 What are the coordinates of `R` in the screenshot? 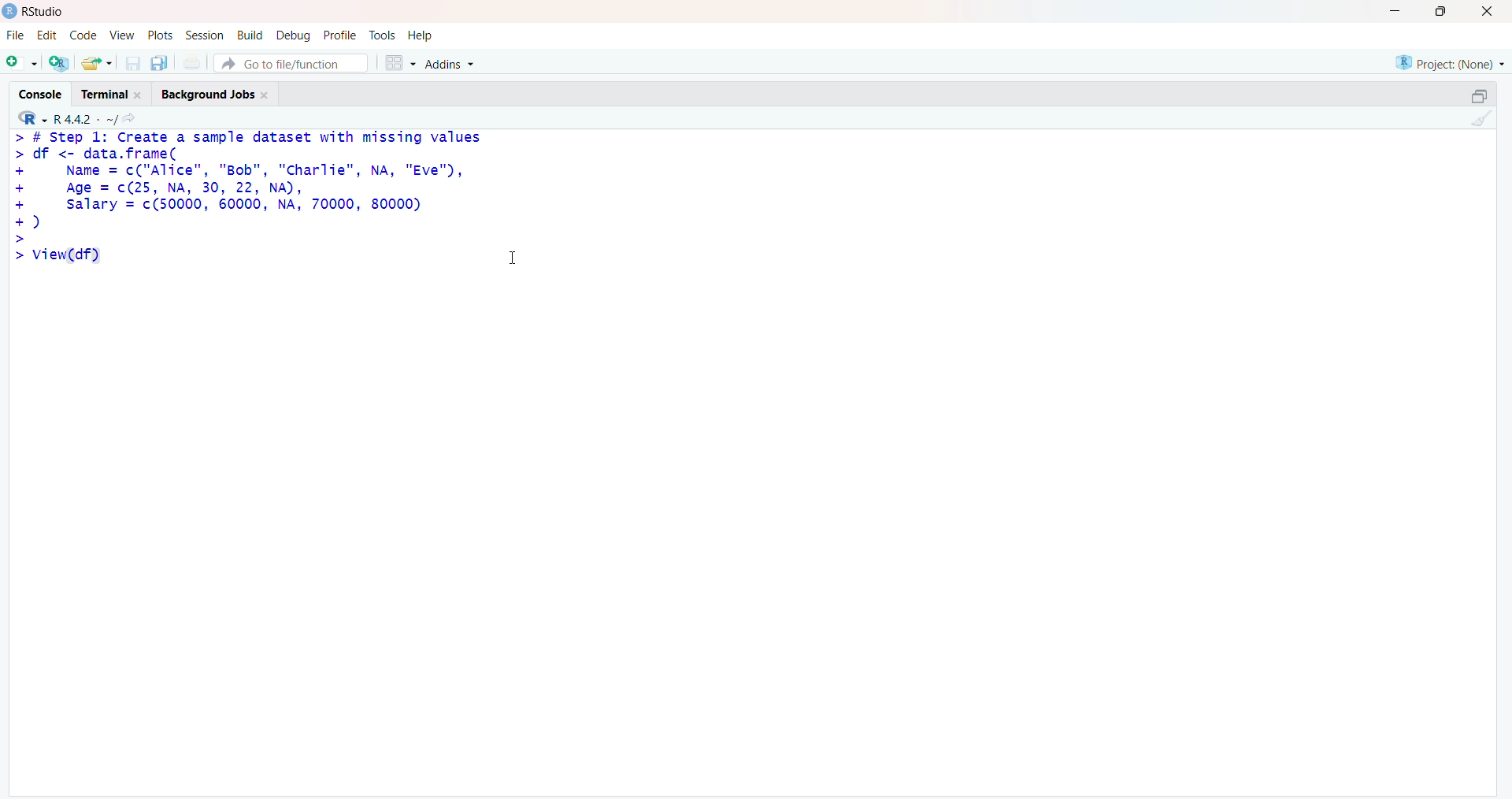 It's located at (31, 118).